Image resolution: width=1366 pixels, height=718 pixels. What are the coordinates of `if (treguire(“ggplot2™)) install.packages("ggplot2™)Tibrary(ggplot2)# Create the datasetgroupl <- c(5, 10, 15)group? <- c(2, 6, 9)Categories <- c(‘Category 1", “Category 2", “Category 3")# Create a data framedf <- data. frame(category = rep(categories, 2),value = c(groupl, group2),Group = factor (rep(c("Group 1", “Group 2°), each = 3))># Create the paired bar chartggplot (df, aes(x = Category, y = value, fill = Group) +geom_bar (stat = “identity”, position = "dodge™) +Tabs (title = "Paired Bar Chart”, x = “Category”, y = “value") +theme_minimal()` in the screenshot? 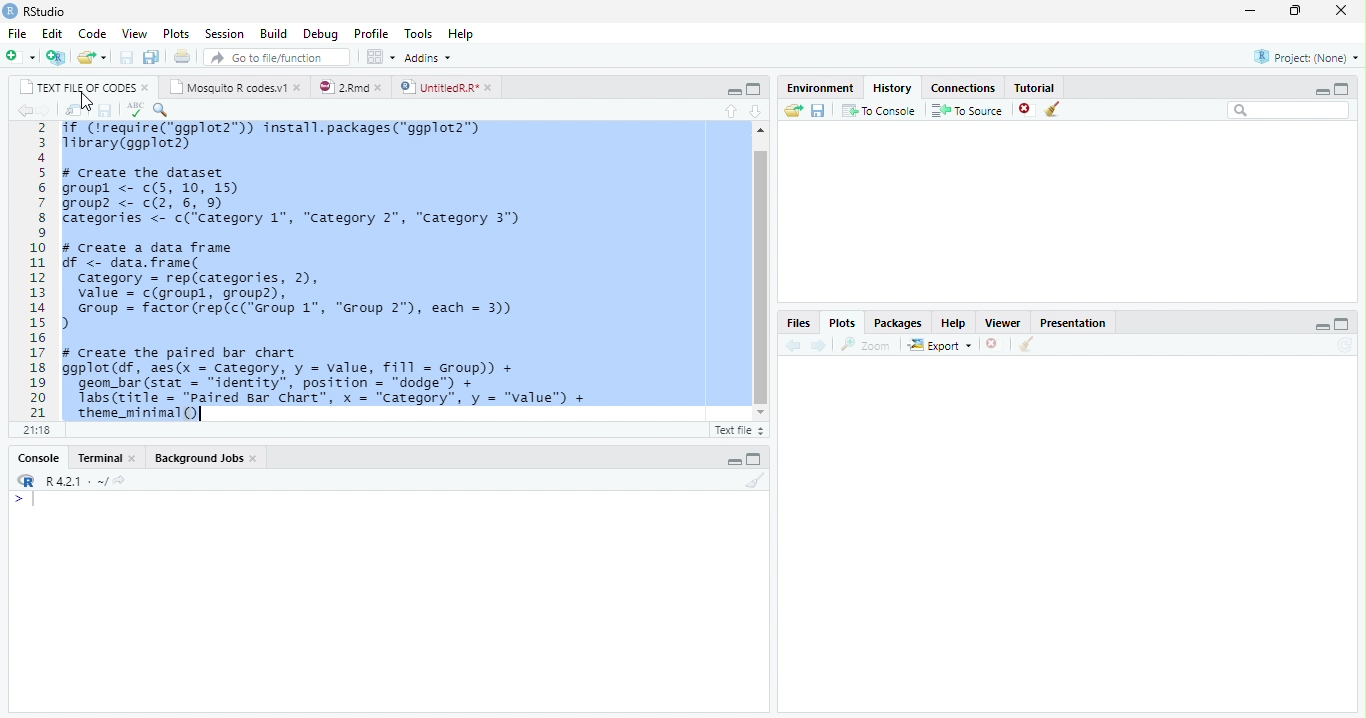 It's located at (347, 270).